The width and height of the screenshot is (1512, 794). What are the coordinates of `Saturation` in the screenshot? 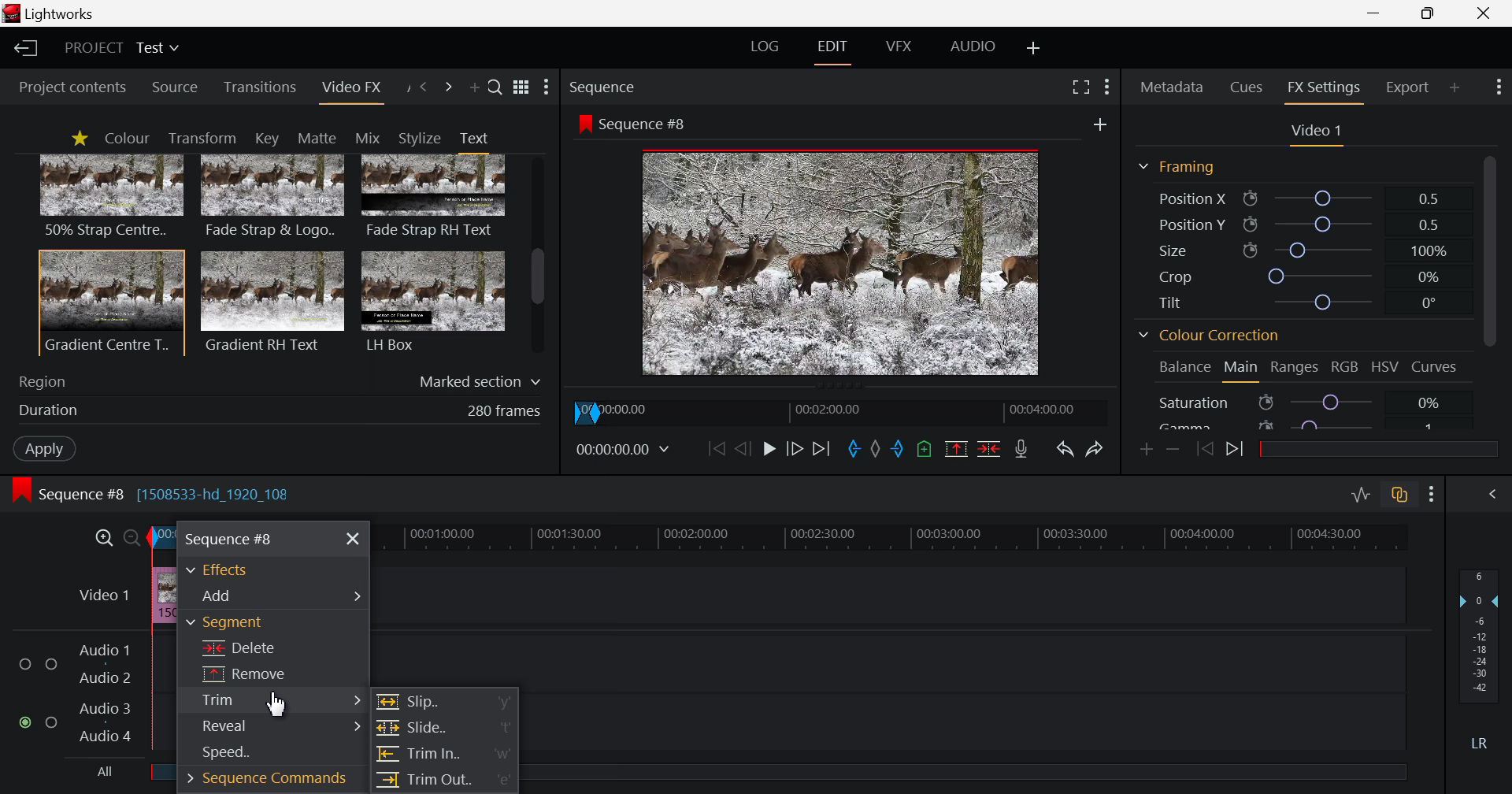 It's located at (1298, 402).